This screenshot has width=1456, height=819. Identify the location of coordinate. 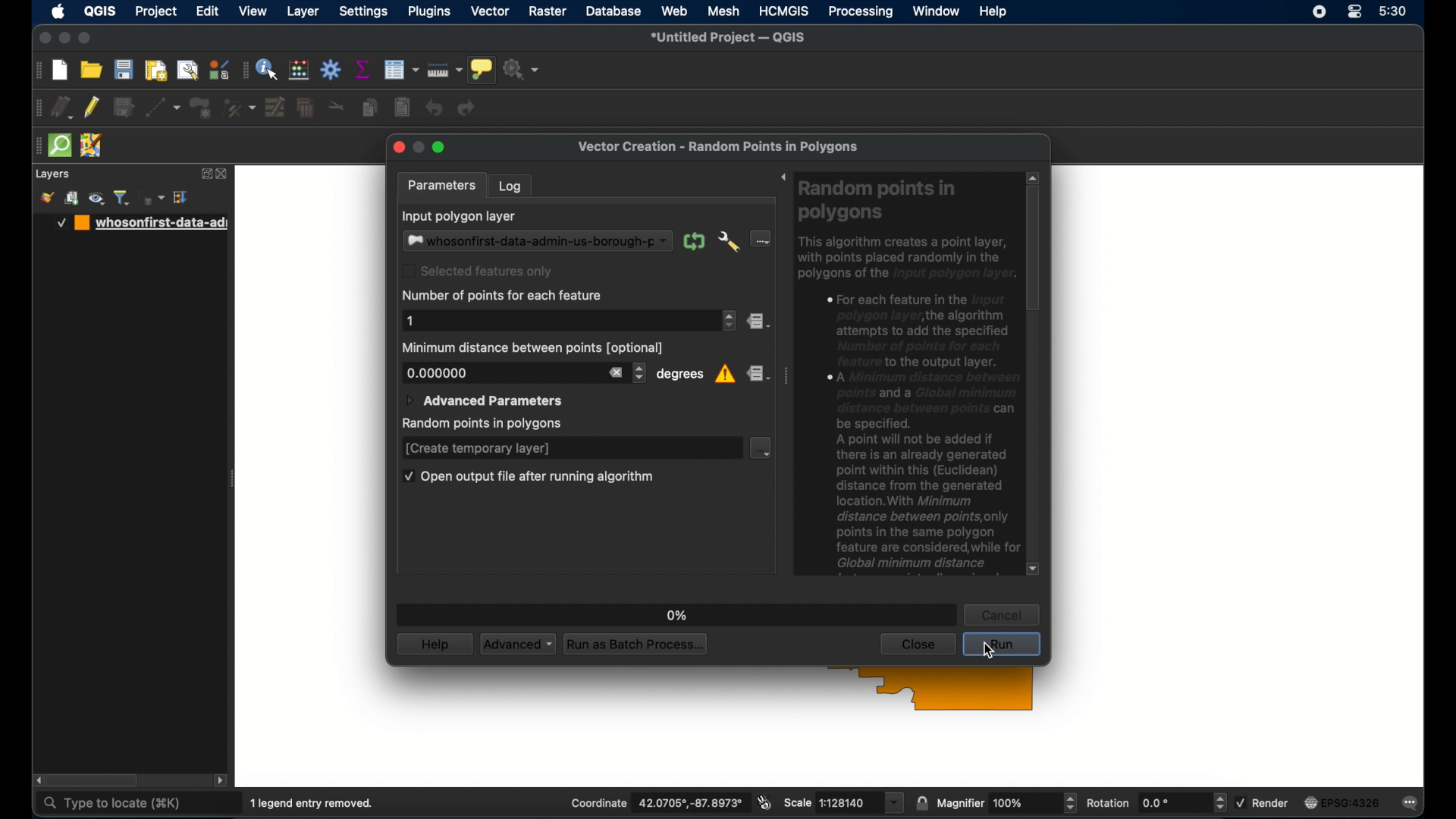
(657, 802).